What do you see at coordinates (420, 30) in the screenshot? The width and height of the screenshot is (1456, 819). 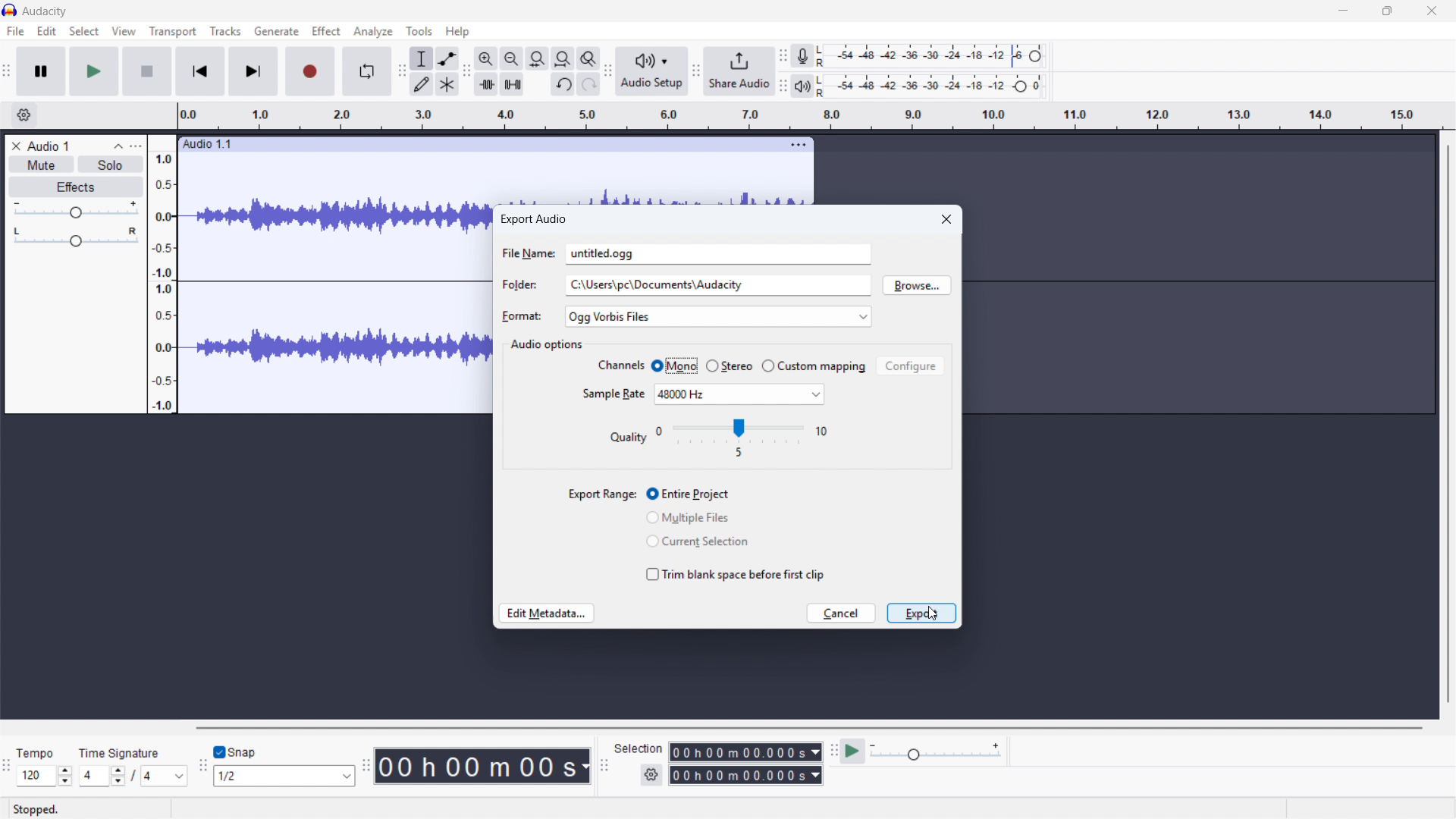 I see `Tools` at bounding box center [420, 30].